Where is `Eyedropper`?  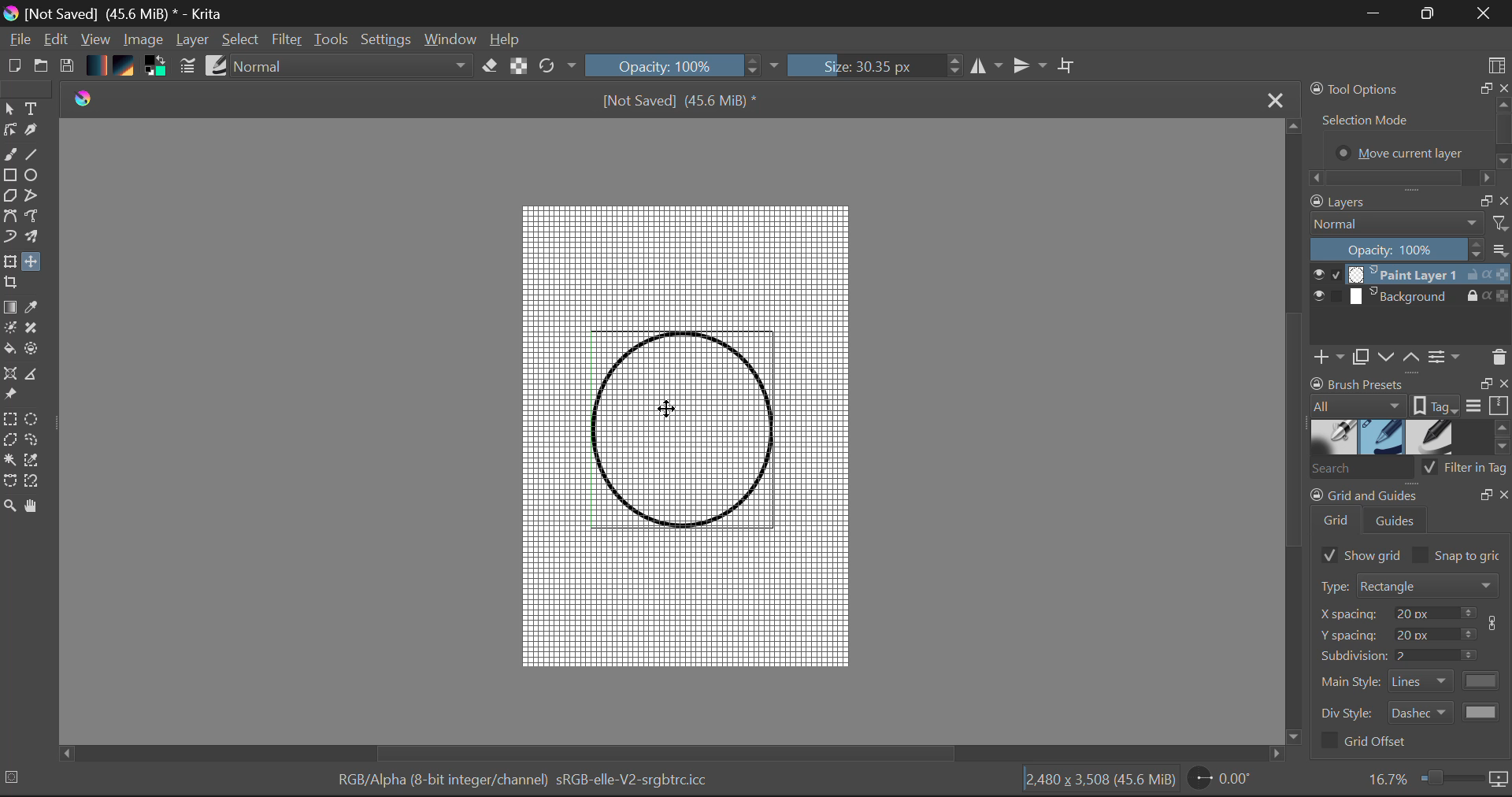 Eyedropper is located at coordinates (35, 309).